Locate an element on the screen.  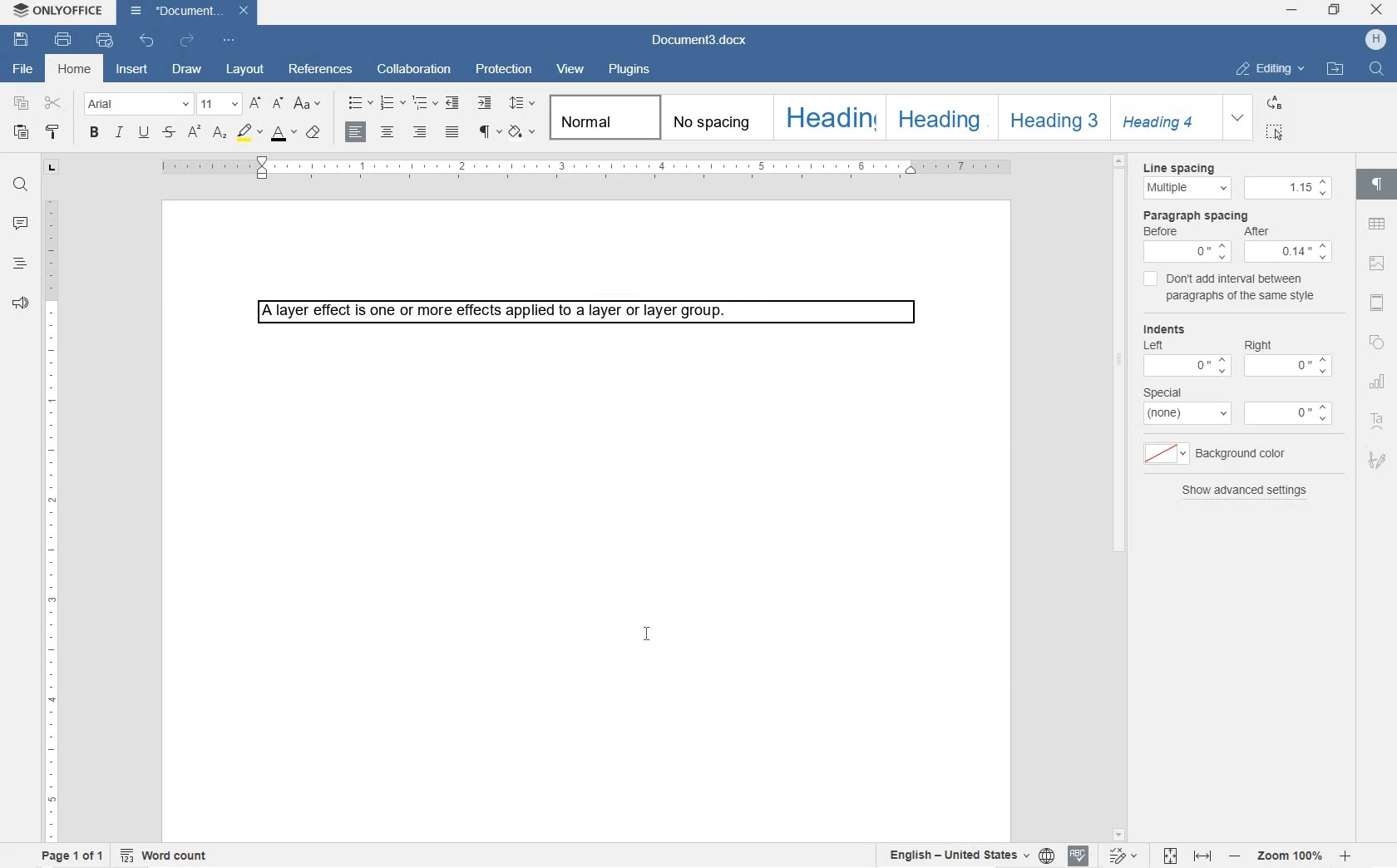
line spacing is located at coordinates (1183, 180).